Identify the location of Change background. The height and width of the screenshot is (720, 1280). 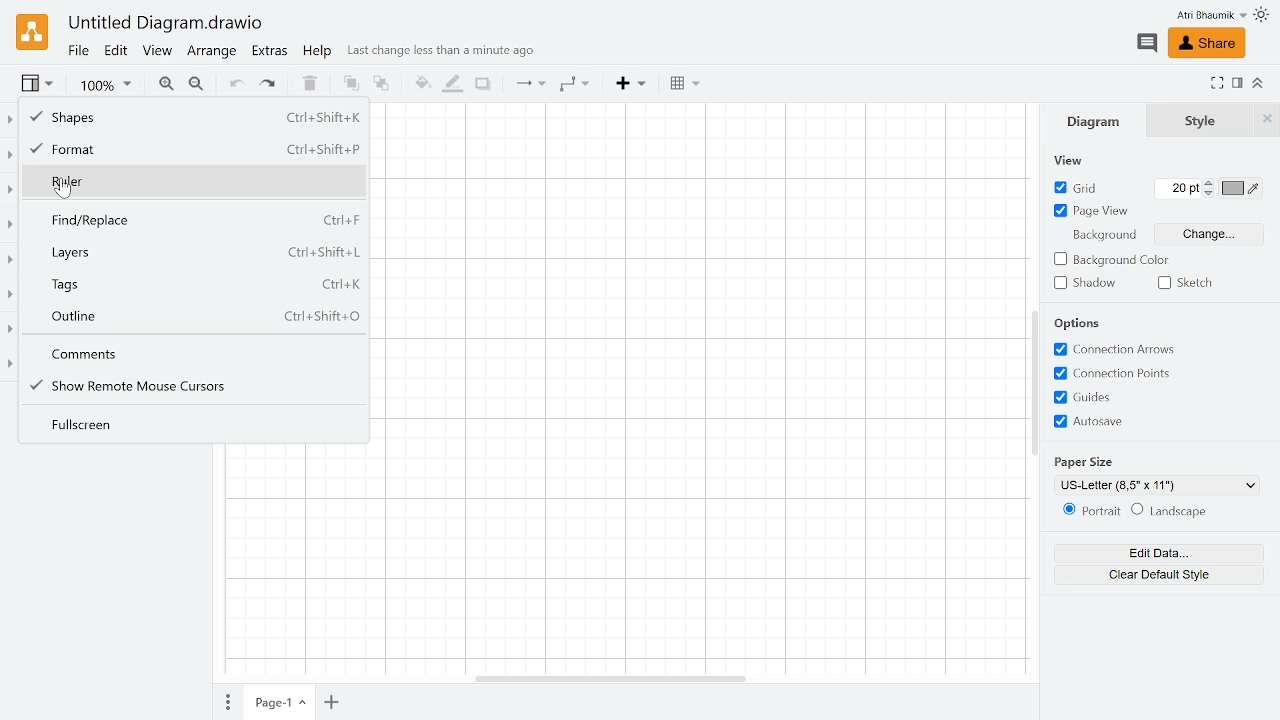
(1214, 233).